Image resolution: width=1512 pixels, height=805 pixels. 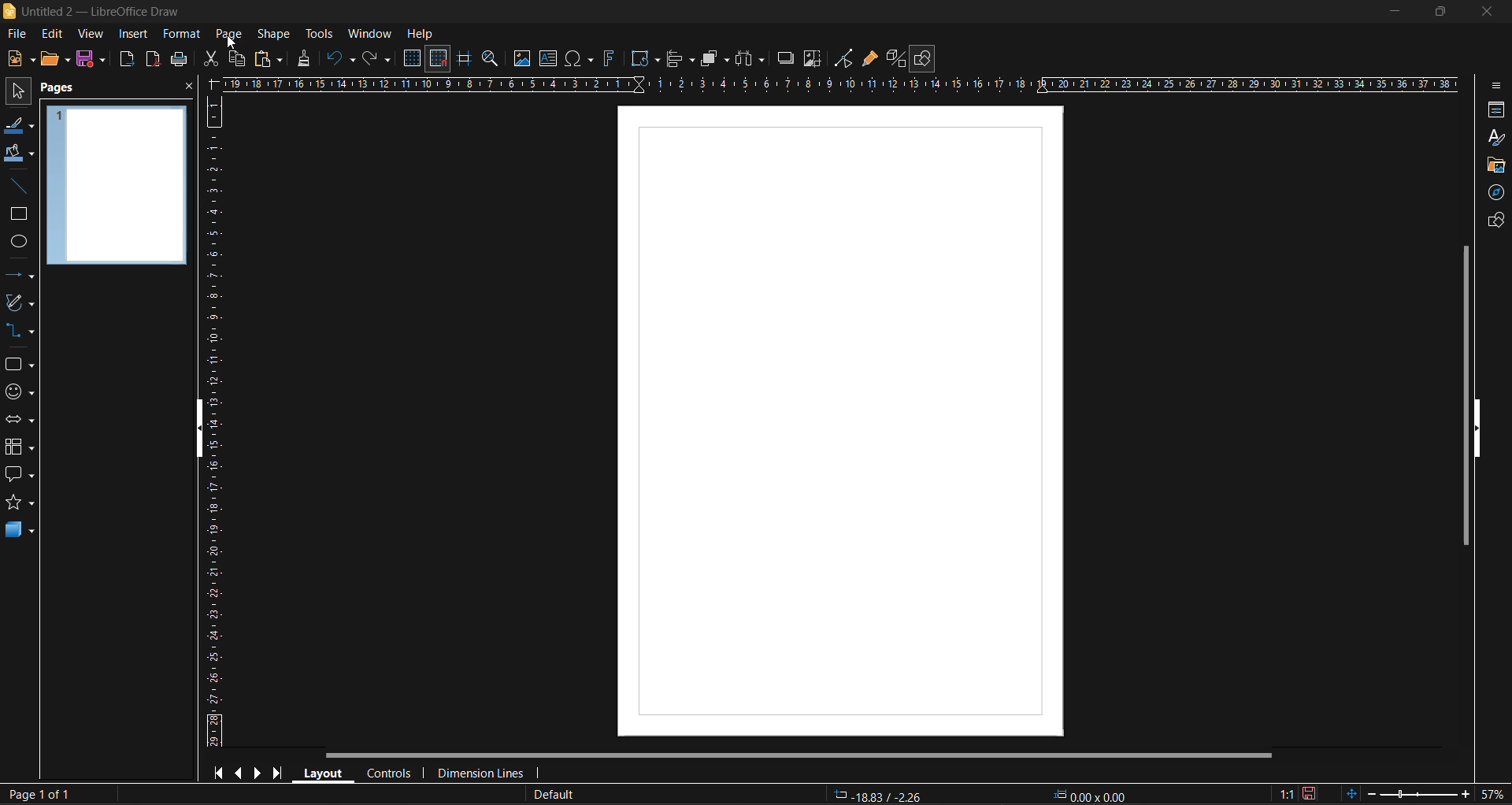 What do you see at coordinates (65, 91) in the screenshot?
I see `pages` at bounding box center [65, 91].